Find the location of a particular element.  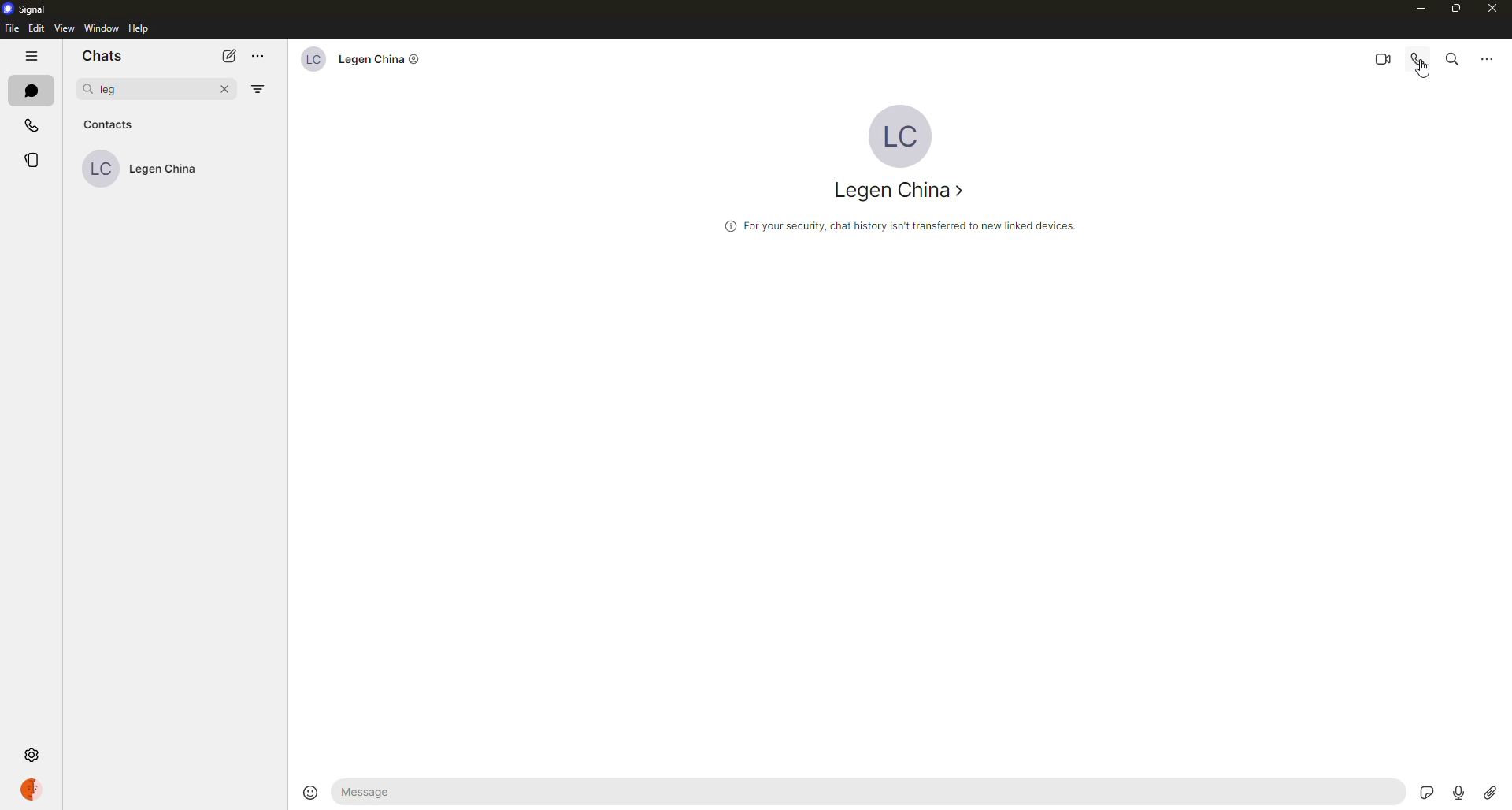

attach is located at coordinates (1490, 792).